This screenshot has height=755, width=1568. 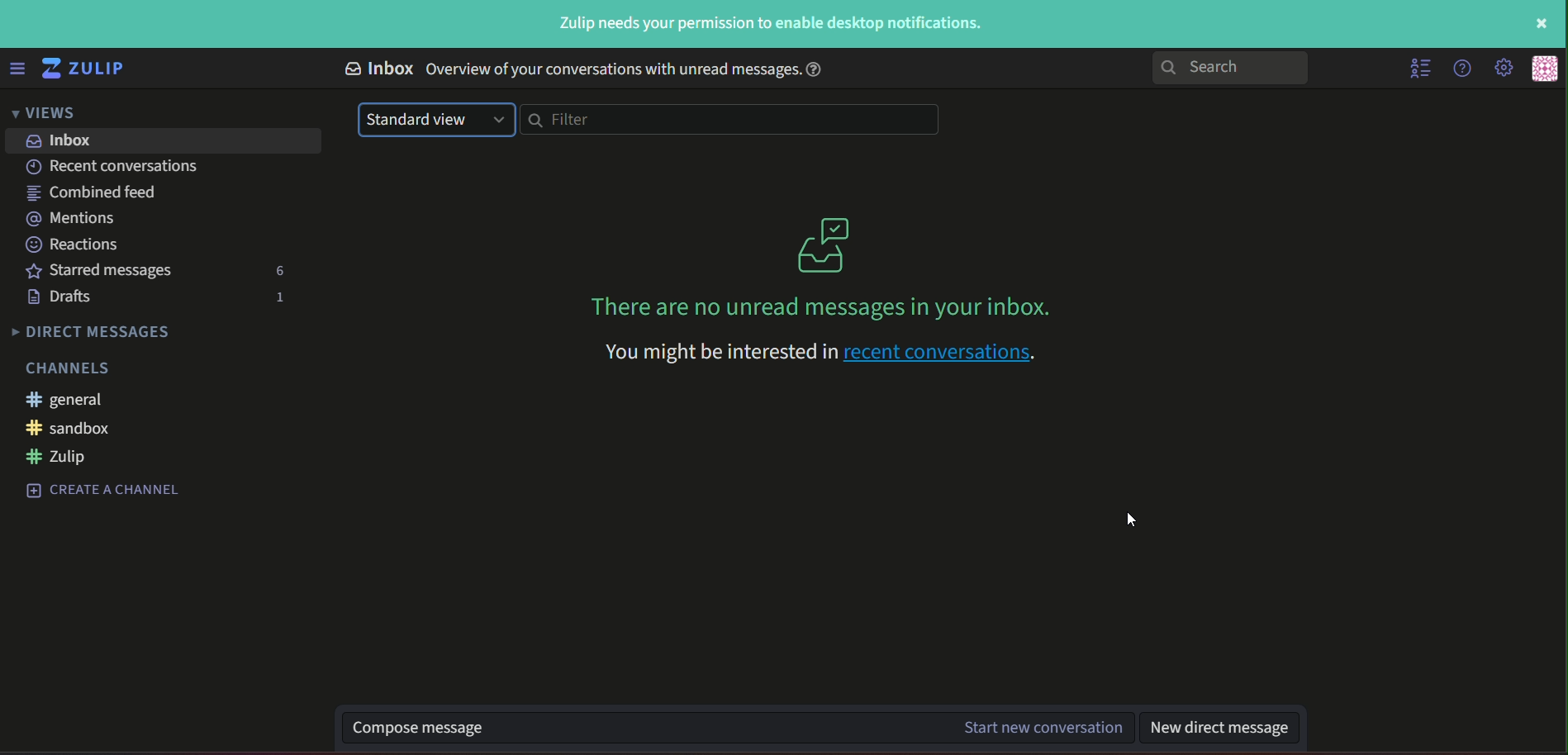 I want to click on inbox, so click(x=70, y=142).